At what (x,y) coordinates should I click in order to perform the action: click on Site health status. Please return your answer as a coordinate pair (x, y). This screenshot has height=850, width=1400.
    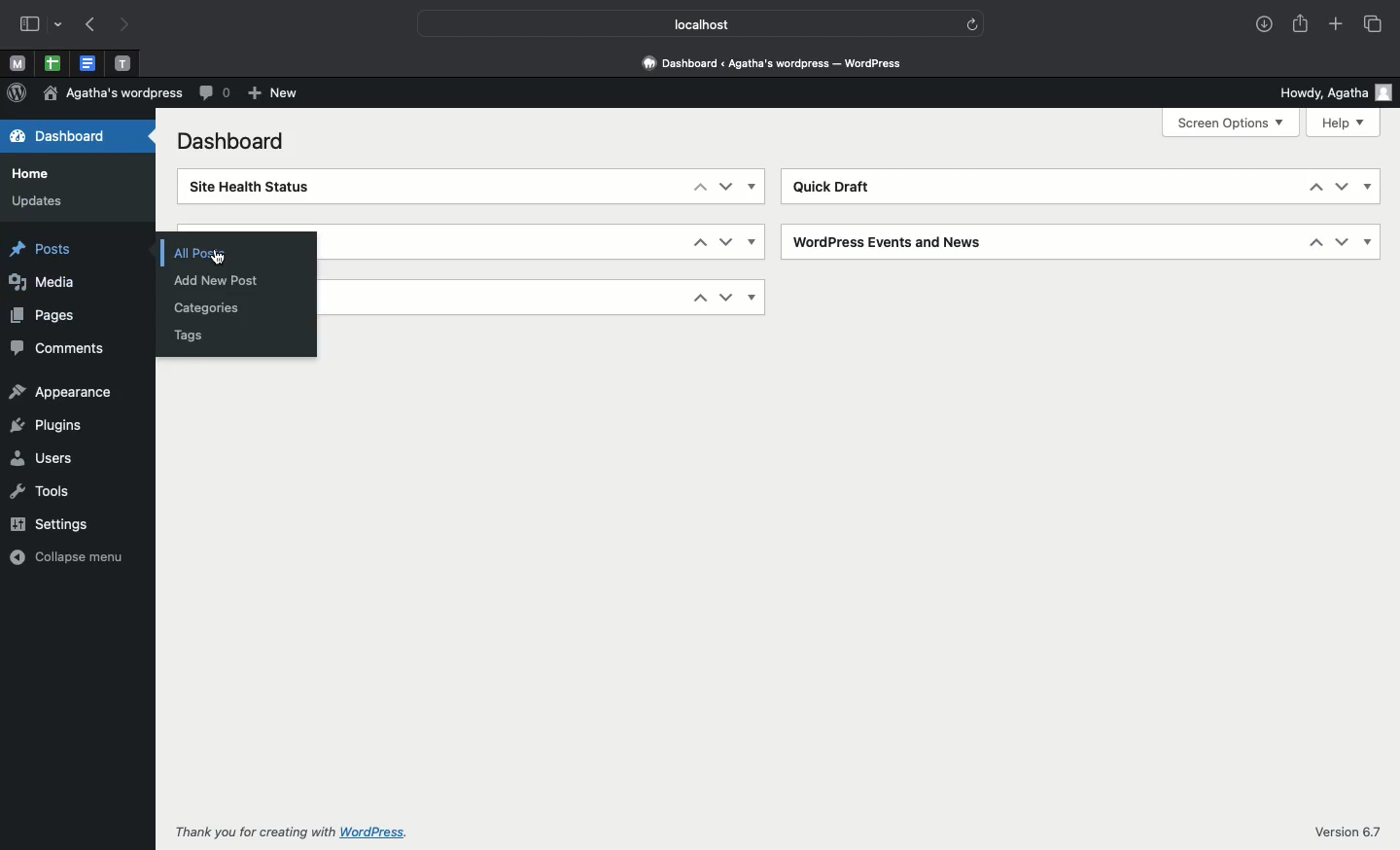
    Looking at the image, I should click on (246, 187).